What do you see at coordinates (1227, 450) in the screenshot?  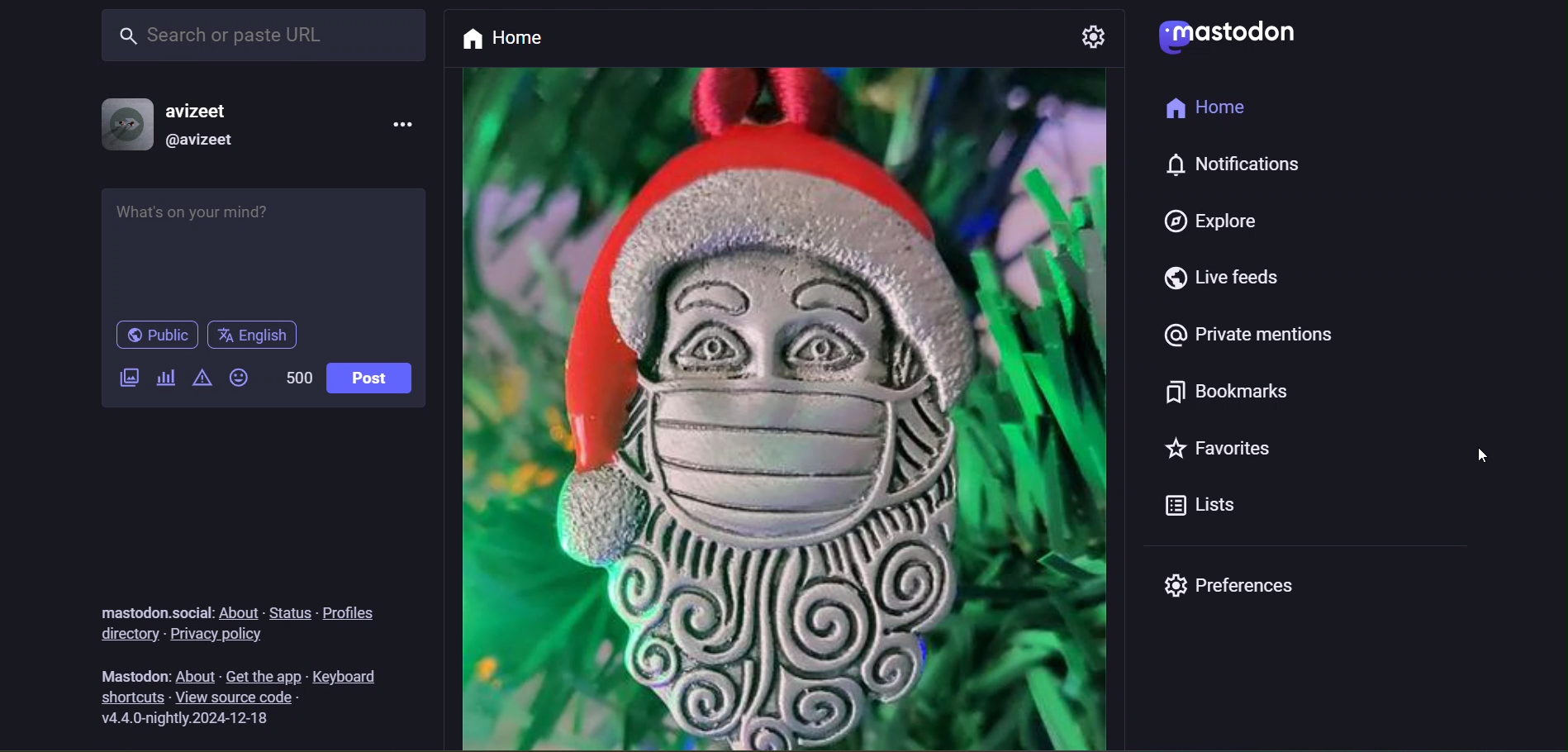 I see `favorites` at bounding box center [1227, 450].